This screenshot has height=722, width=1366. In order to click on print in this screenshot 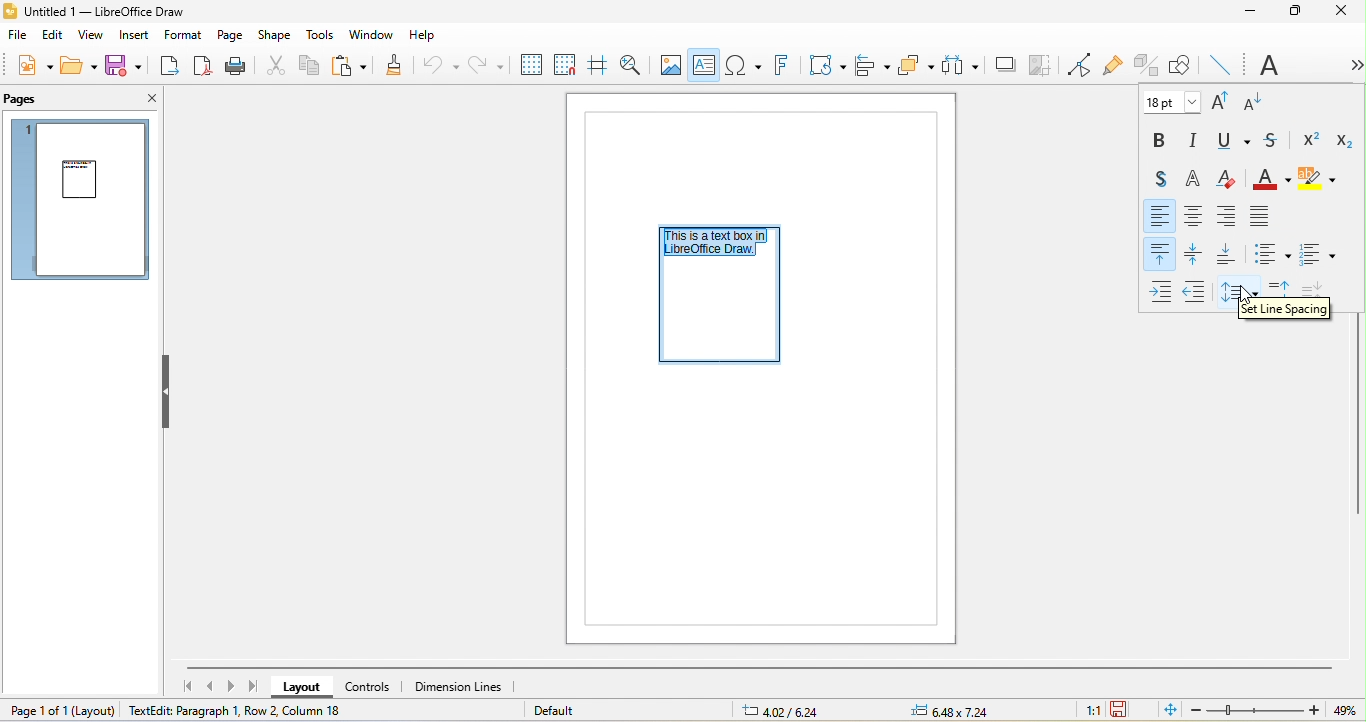, I will do `click(237, 65)`.